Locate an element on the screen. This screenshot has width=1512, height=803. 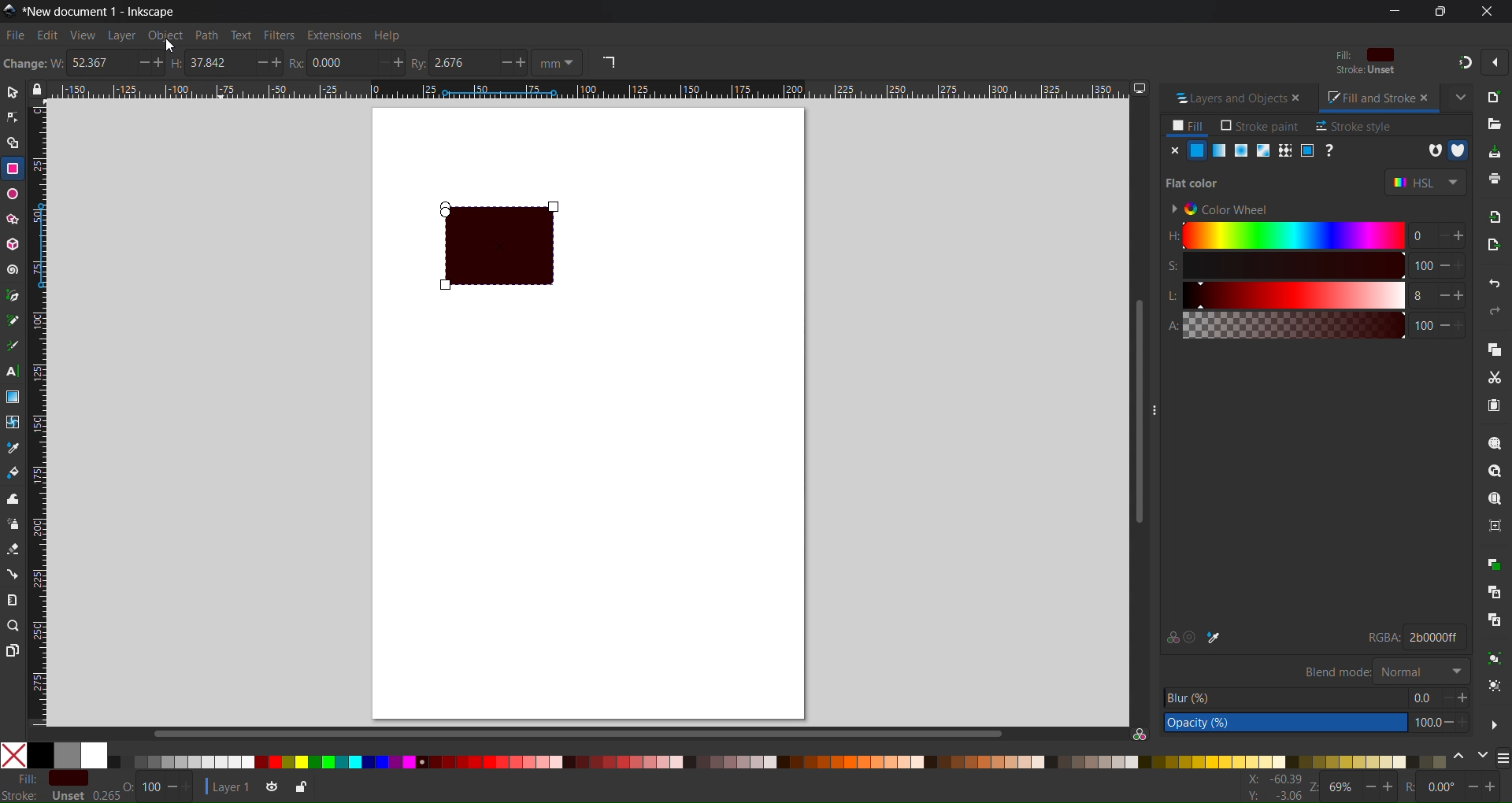
Pages tool is located at coordinates (13, 649).